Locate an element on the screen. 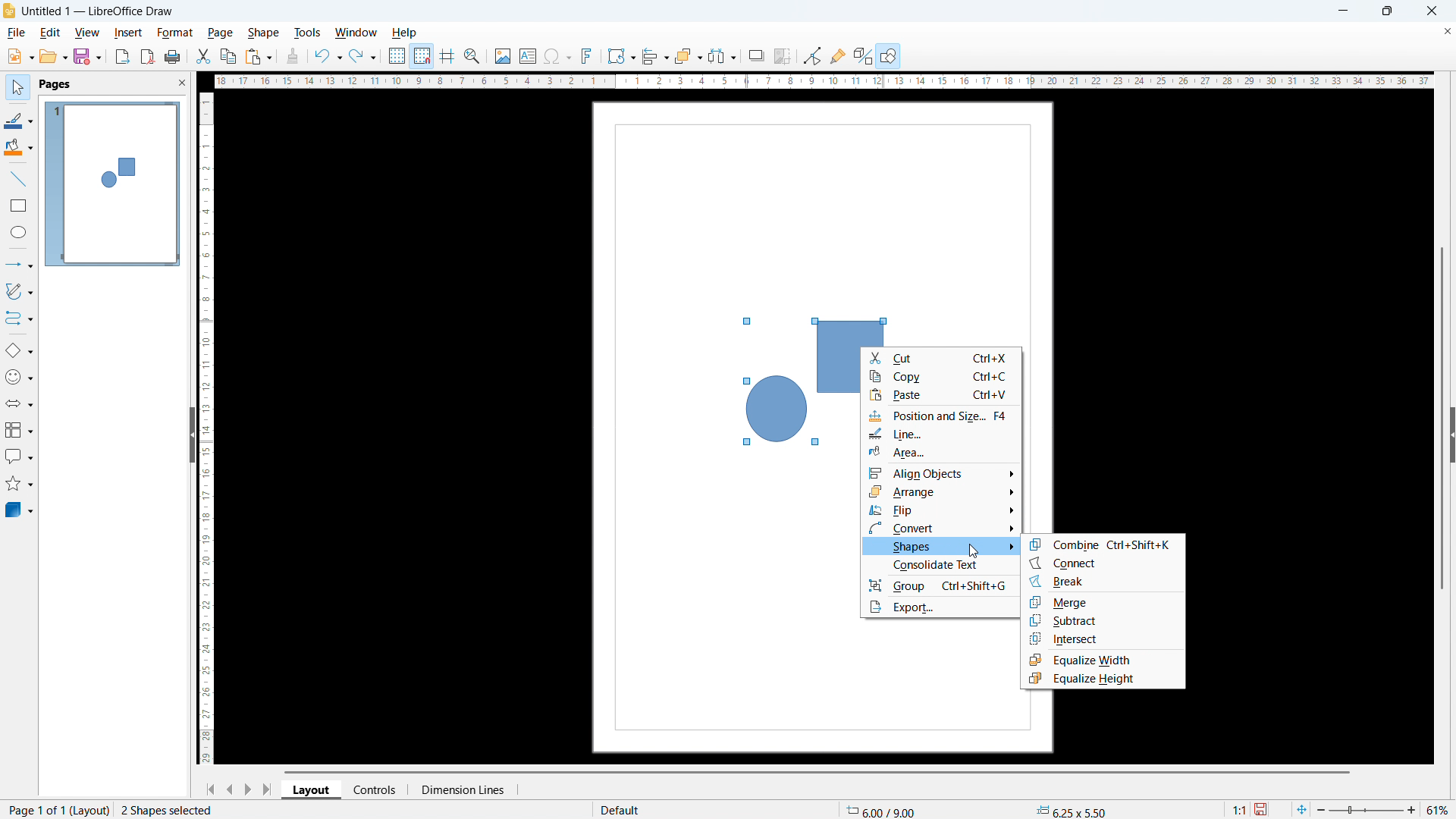 The width and height of the screenshot is (1456, 819). undo is located at coordinates (328, 57).